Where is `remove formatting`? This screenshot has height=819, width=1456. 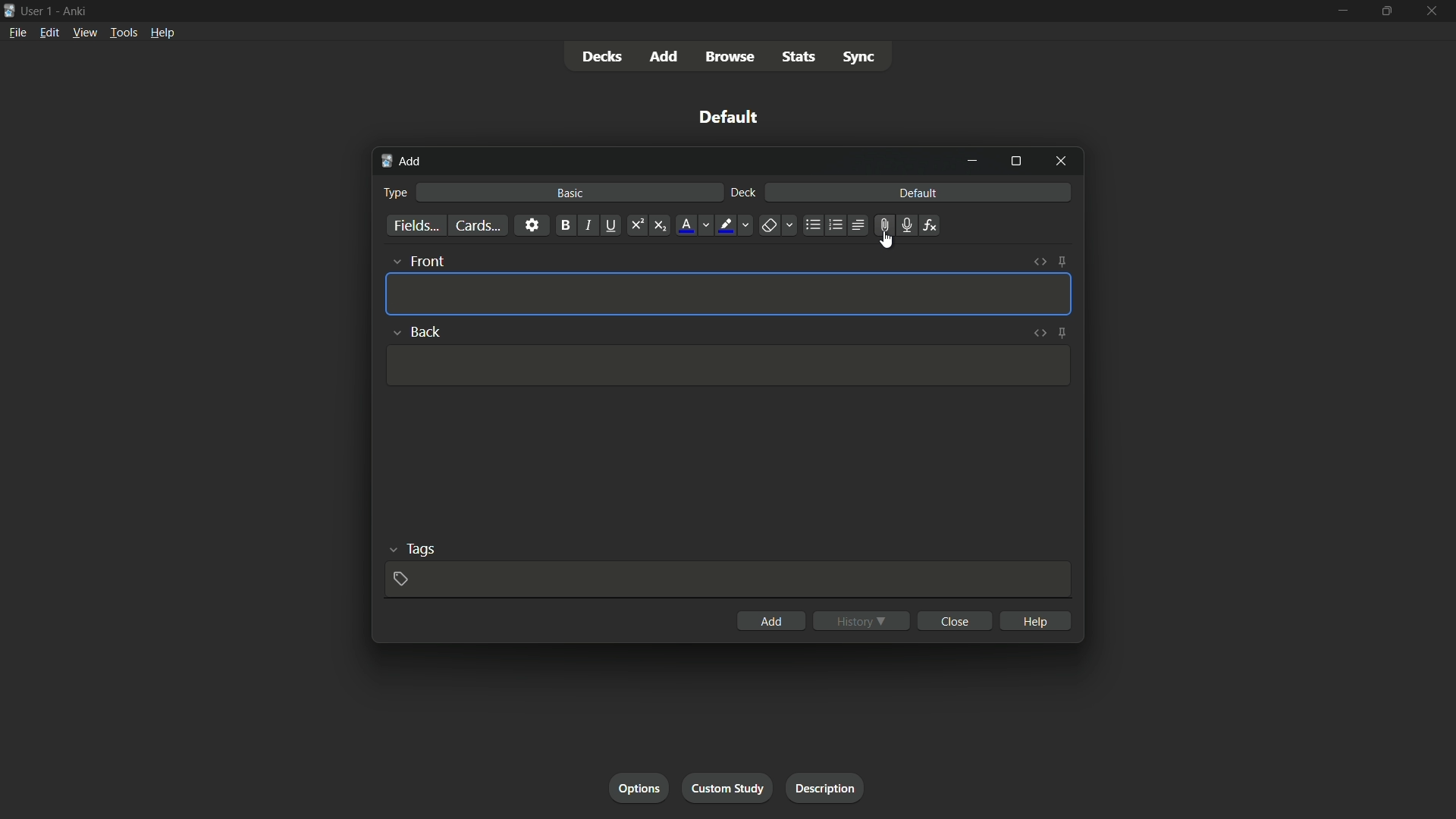
remove formatting is located at coordinates (778, 225).